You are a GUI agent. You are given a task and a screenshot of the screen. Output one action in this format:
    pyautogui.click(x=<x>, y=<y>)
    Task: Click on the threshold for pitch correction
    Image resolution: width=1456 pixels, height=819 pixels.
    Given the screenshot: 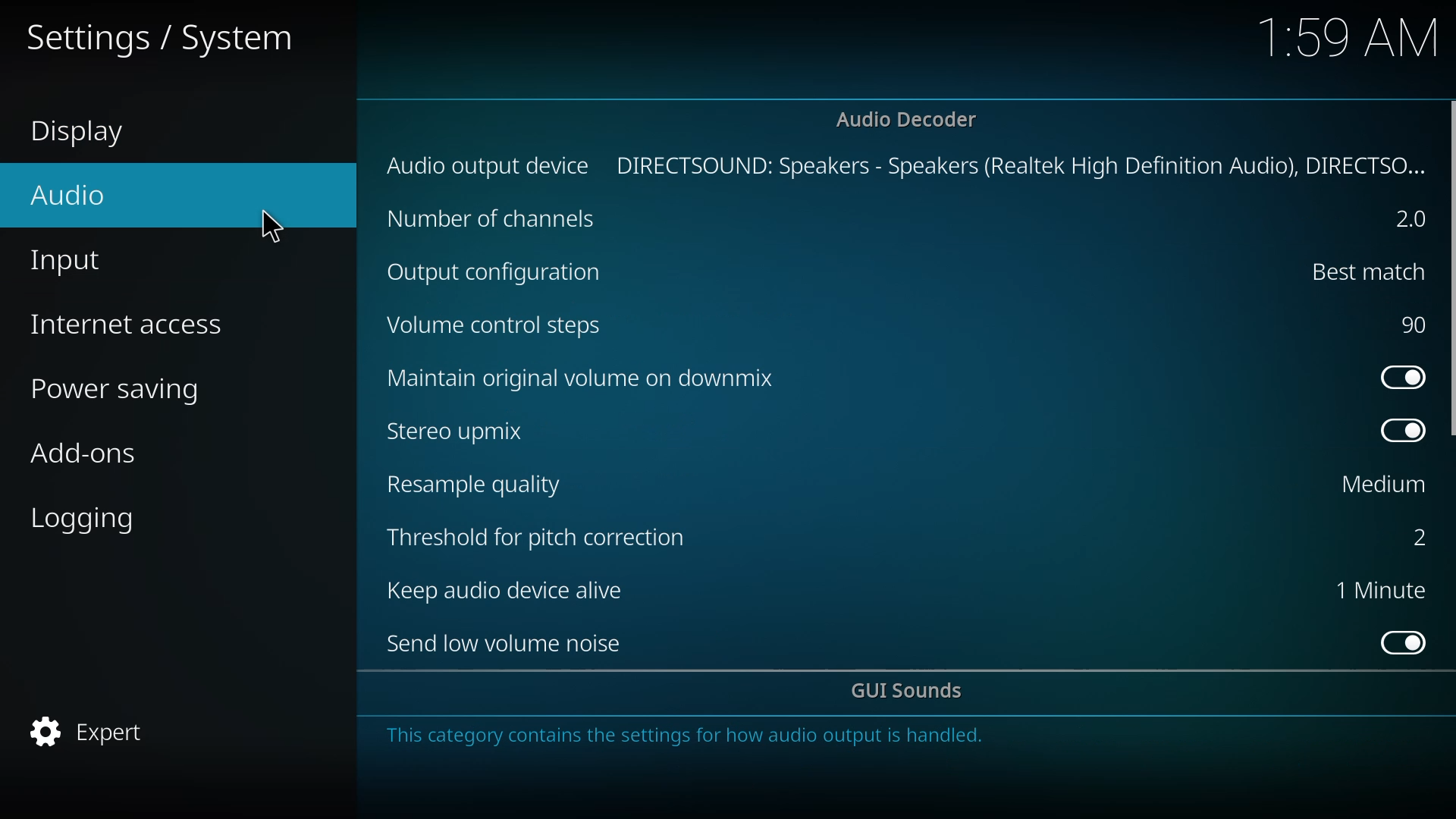 What is the action you would take?
    pyautogui.click(x=538, y=540)
    